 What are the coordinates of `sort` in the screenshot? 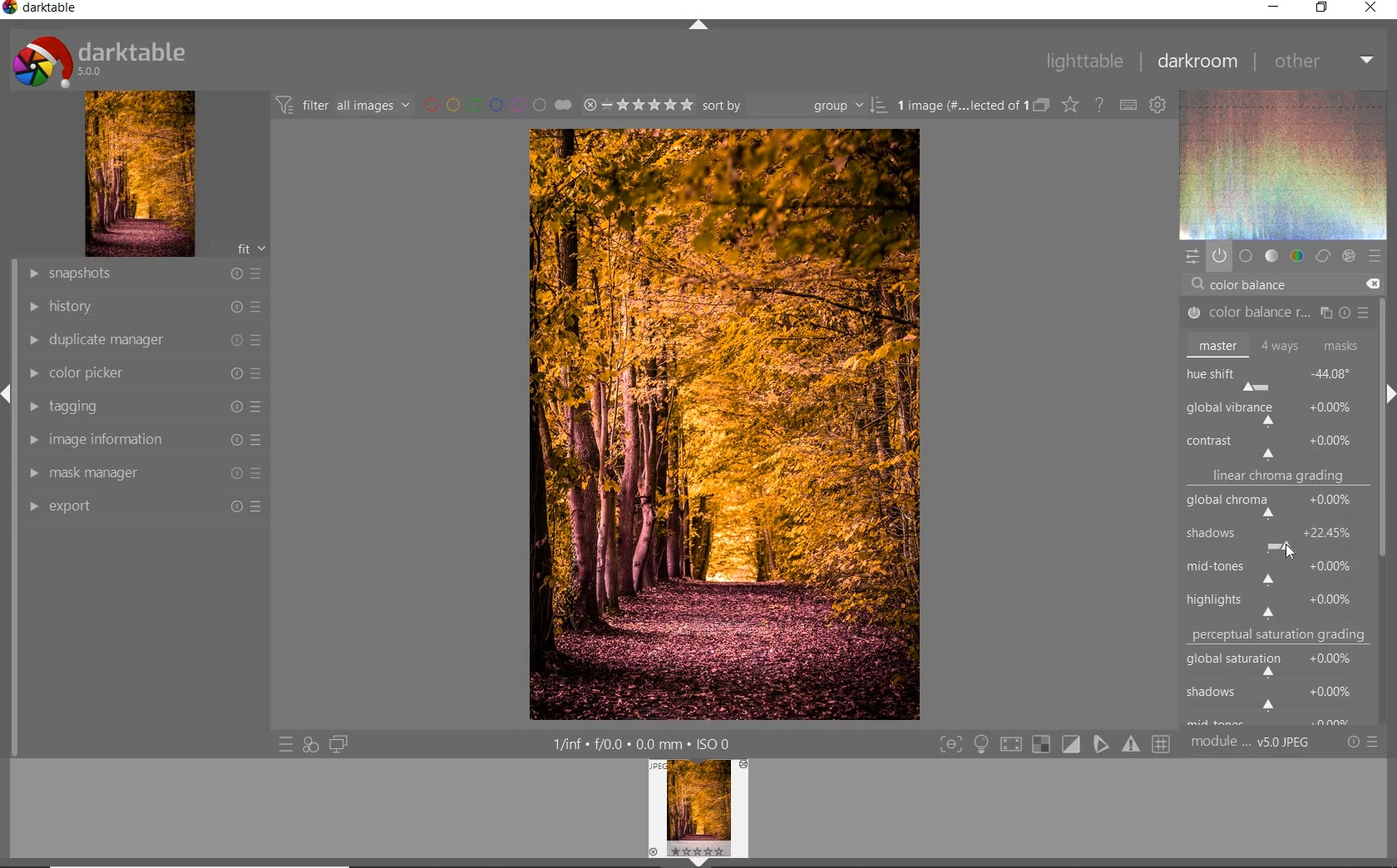 It's located at (794, 106).